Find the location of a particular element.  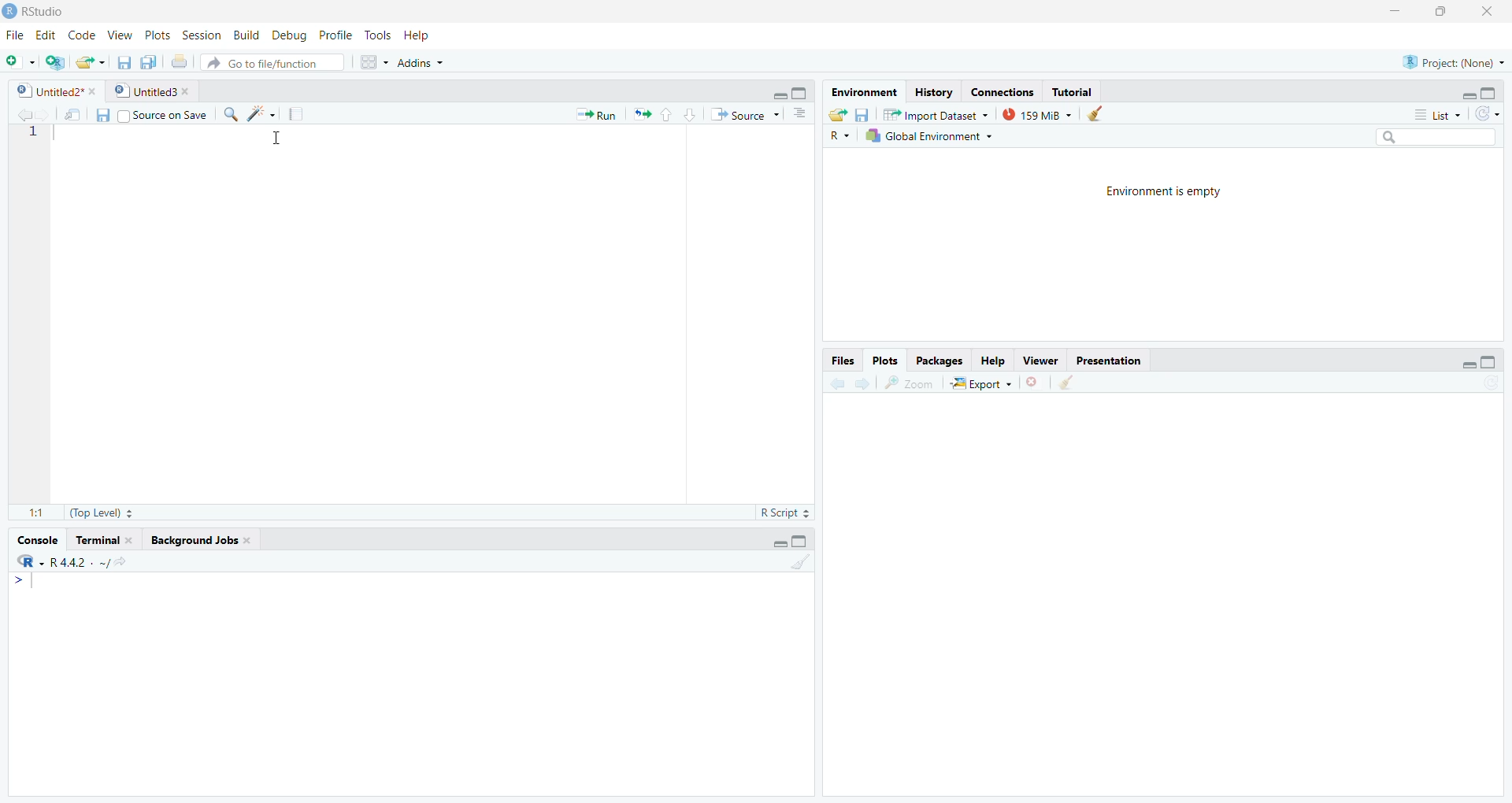

Save all open documents is located at coordinates (148, 63).